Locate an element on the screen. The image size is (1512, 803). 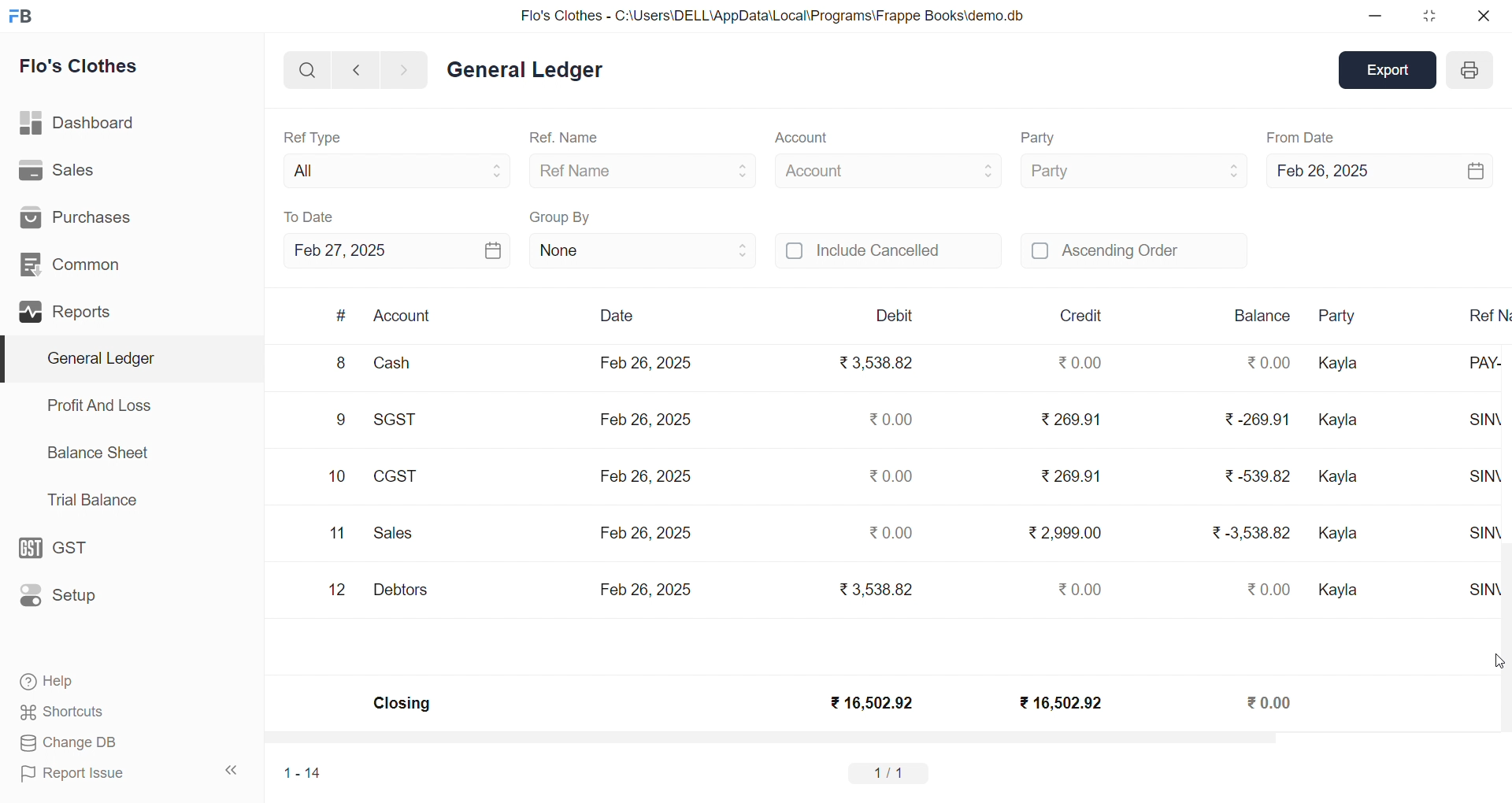
₹0.00 is located at coordinates (893, 529).